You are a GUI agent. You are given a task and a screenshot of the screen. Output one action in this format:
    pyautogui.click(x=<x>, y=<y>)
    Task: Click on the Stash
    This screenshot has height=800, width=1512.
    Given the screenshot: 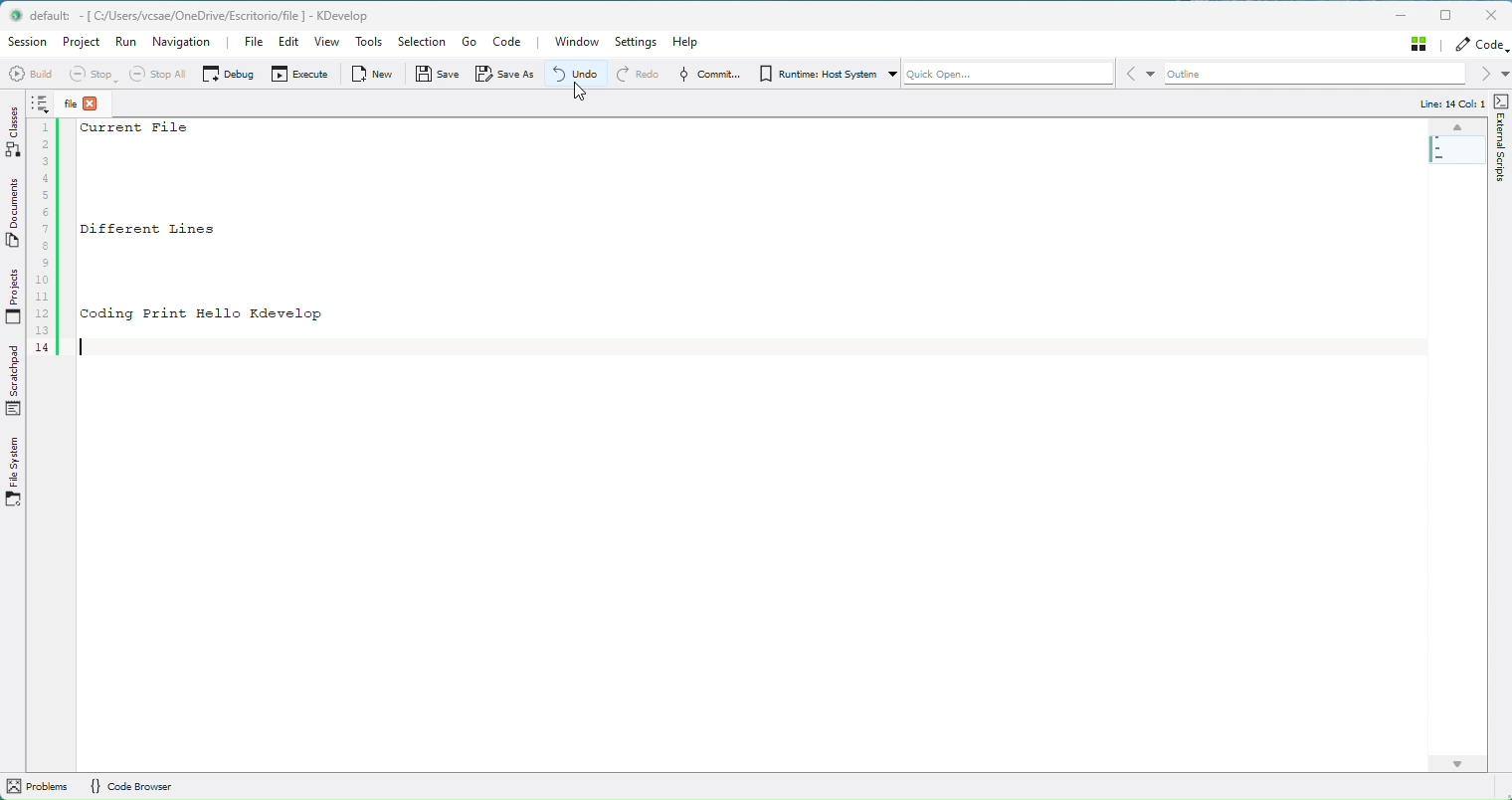 What is the action you would take?
    pyautogui.click(x=1420, y=43)
    